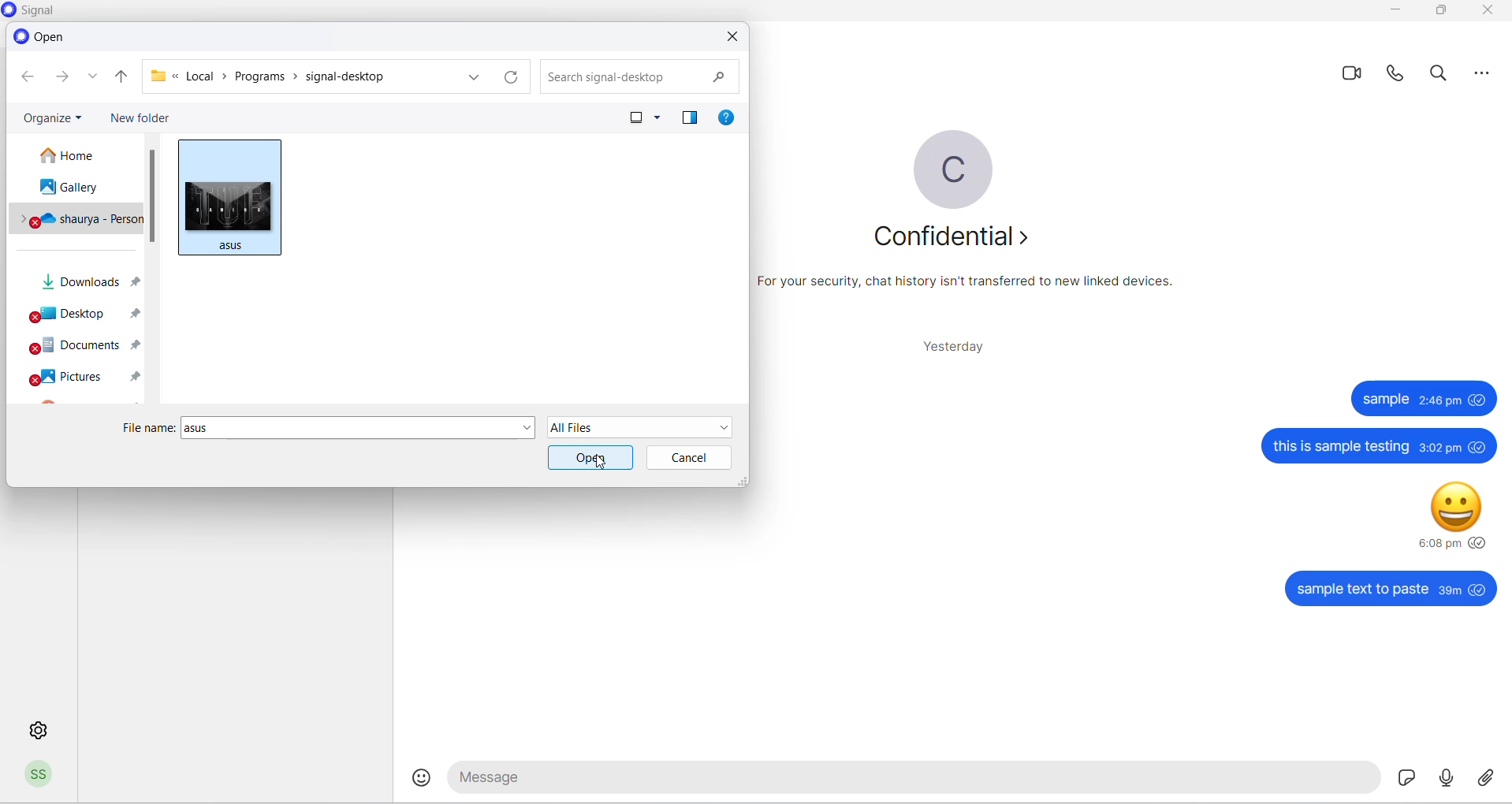 The width and height of the screenshot is (1512, 804). What do you see at coordinates (77, 155) in the screenshot?
I see `home` at bounding box center [77, 155].